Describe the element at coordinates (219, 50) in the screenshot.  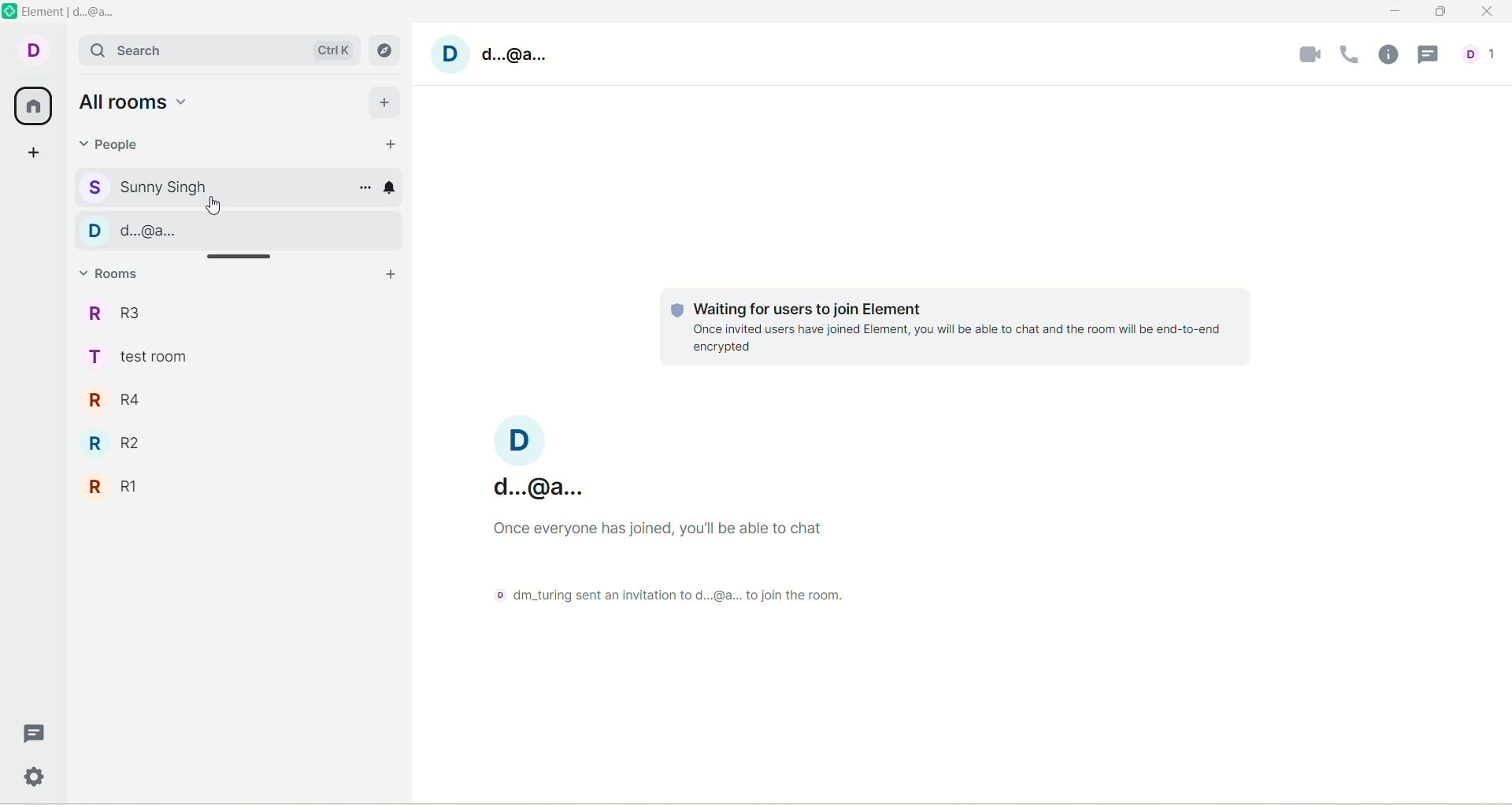
I see `search` at that location.